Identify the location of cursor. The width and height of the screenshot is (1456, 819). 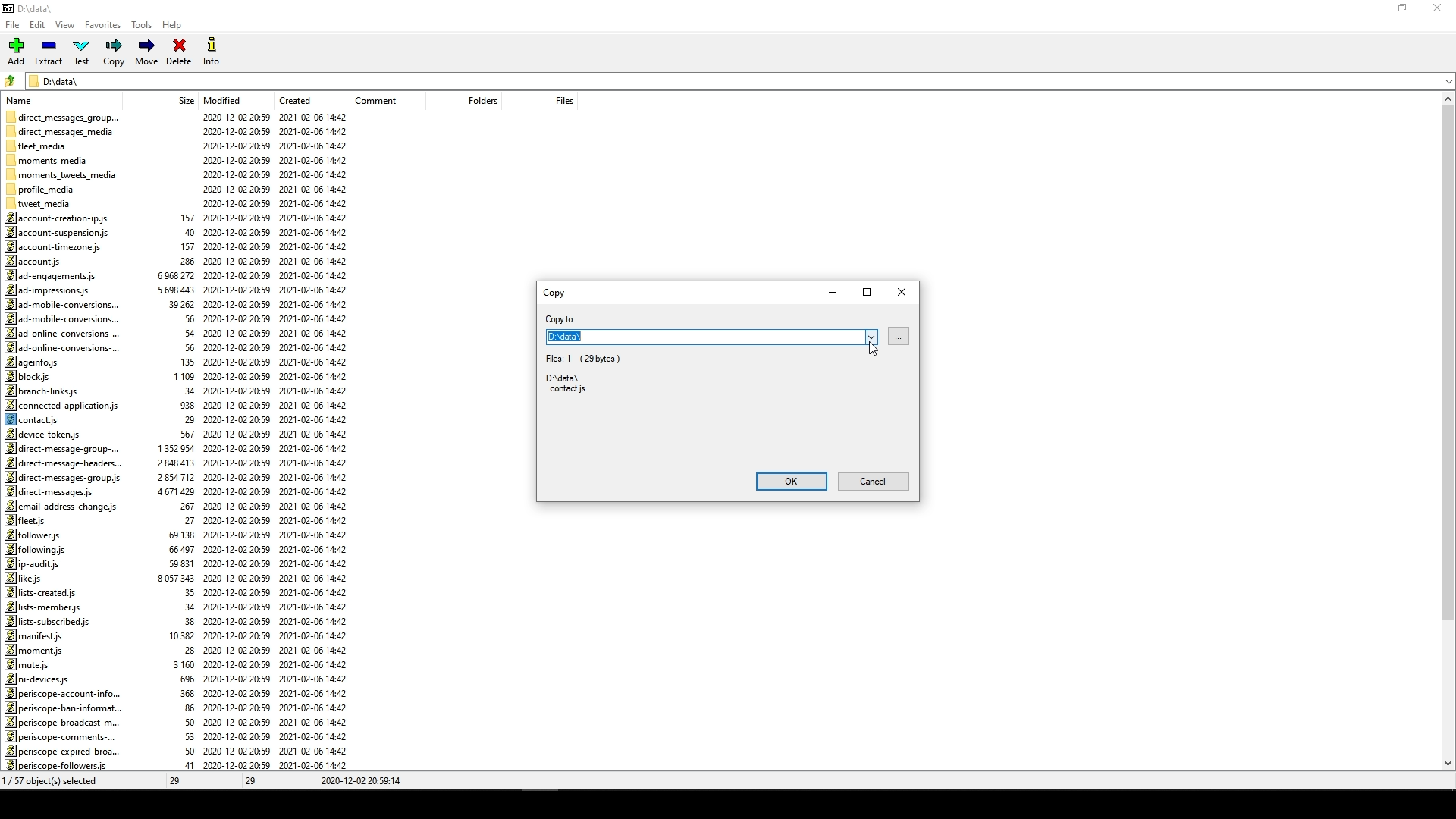
(875, 352).